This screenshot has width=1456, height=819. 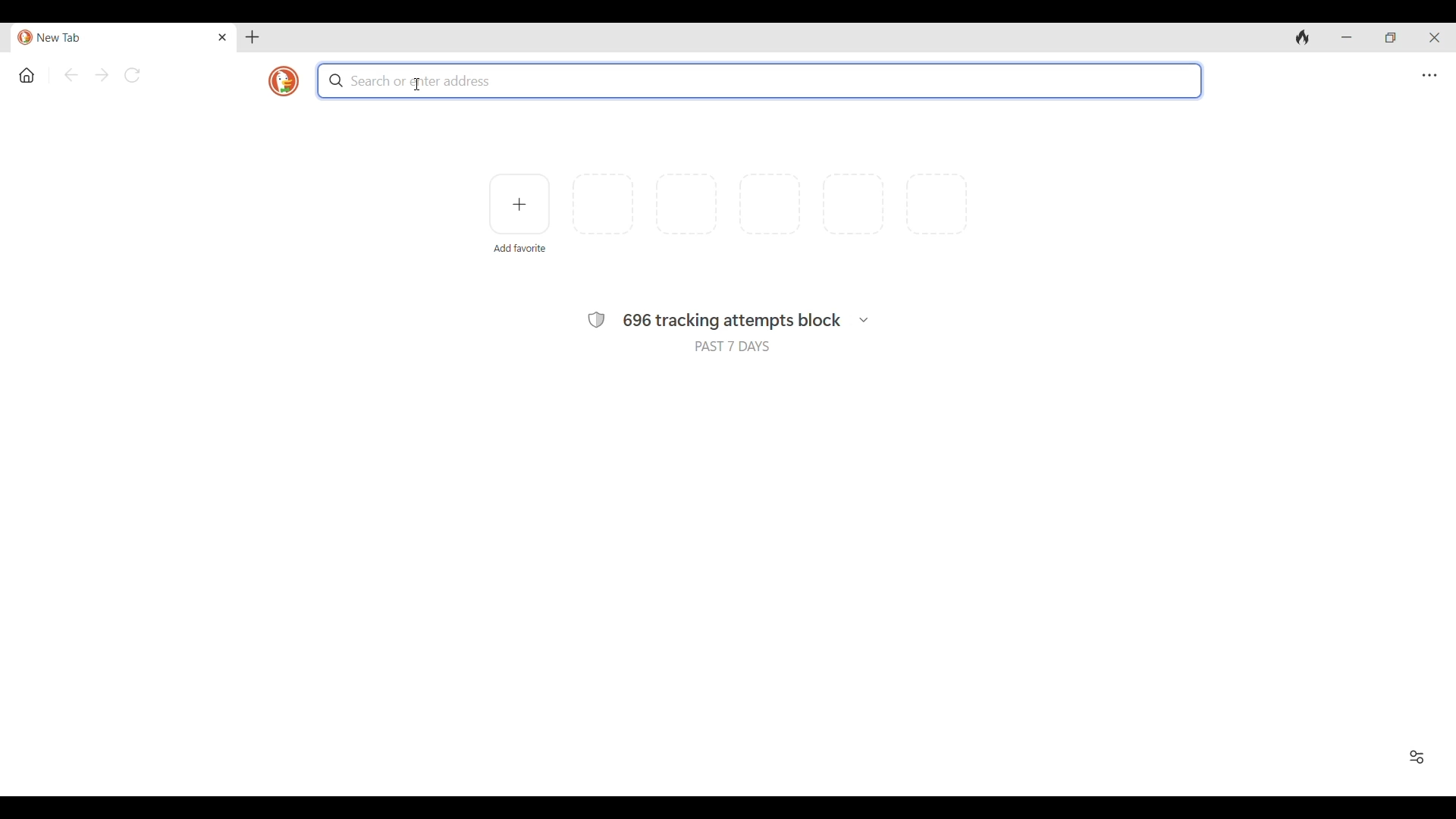 I want to click on Browser protection symbol, so click(x=595, y=320).